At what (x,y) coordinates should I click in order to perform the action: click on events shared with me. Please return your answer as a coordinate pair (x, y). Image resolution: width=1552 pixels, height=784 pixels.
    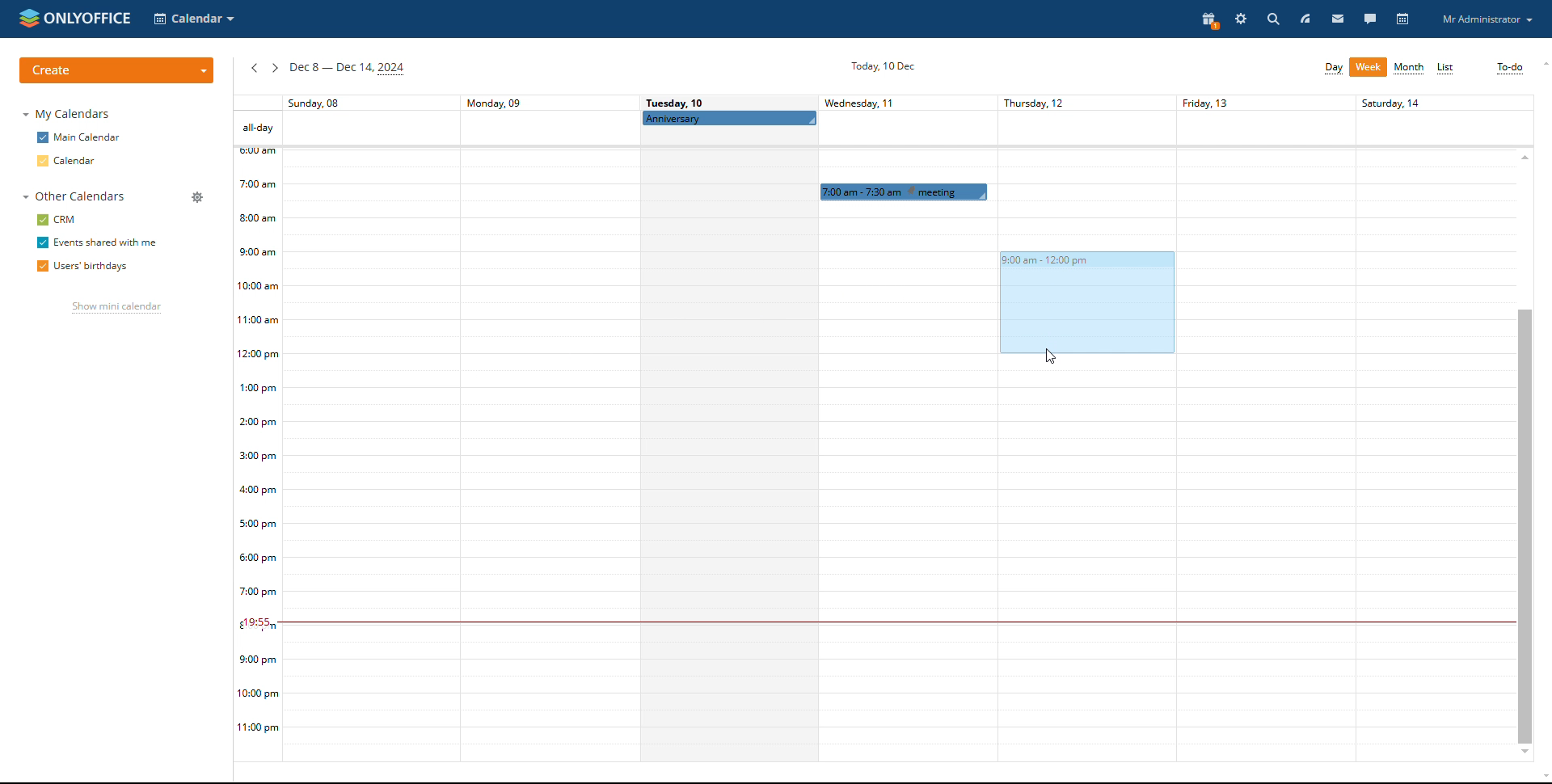
    Looking at the image, I should click on (107, 242).